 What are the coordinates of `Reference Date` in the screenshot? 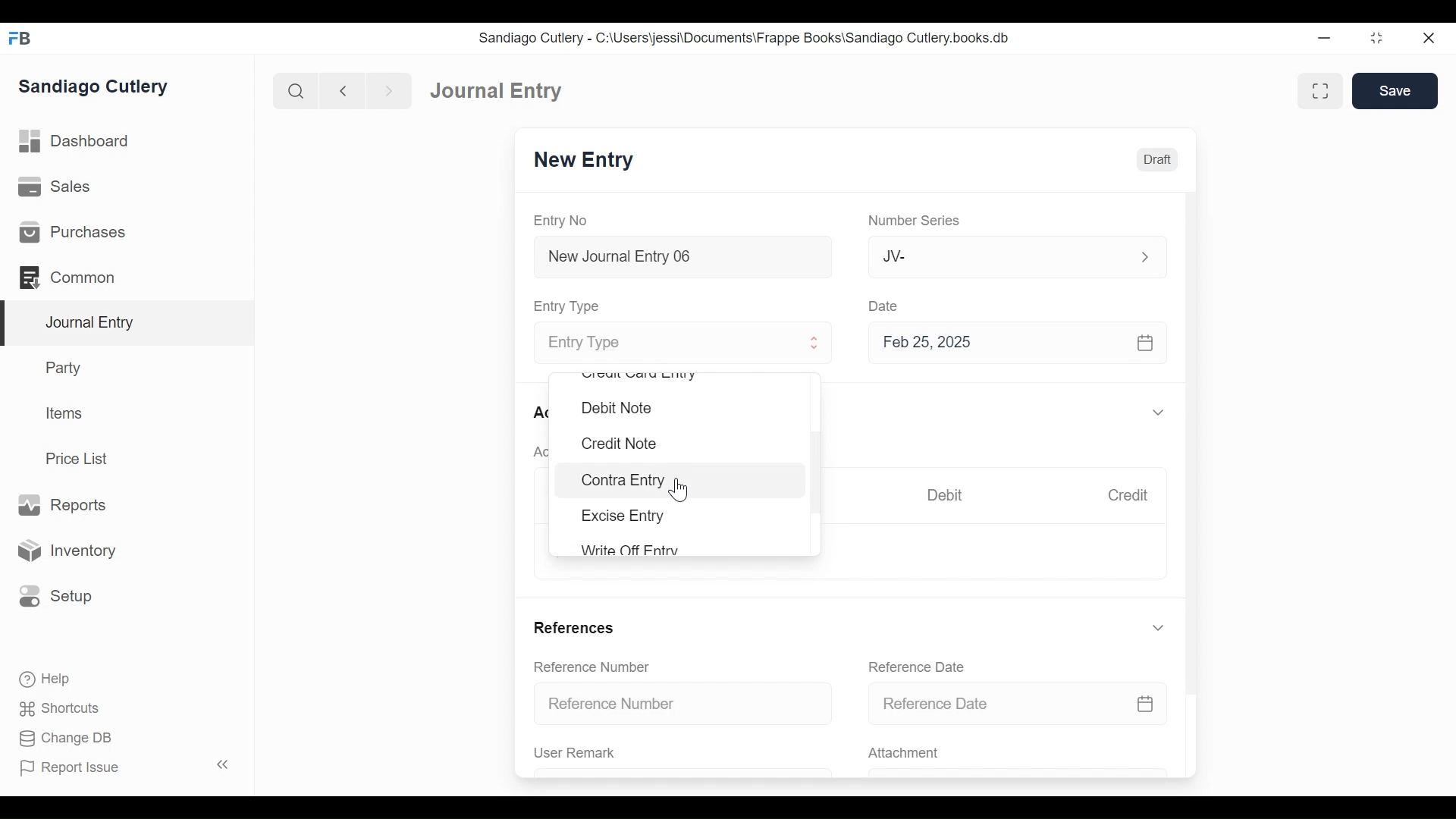 It's located at (1017, 702).